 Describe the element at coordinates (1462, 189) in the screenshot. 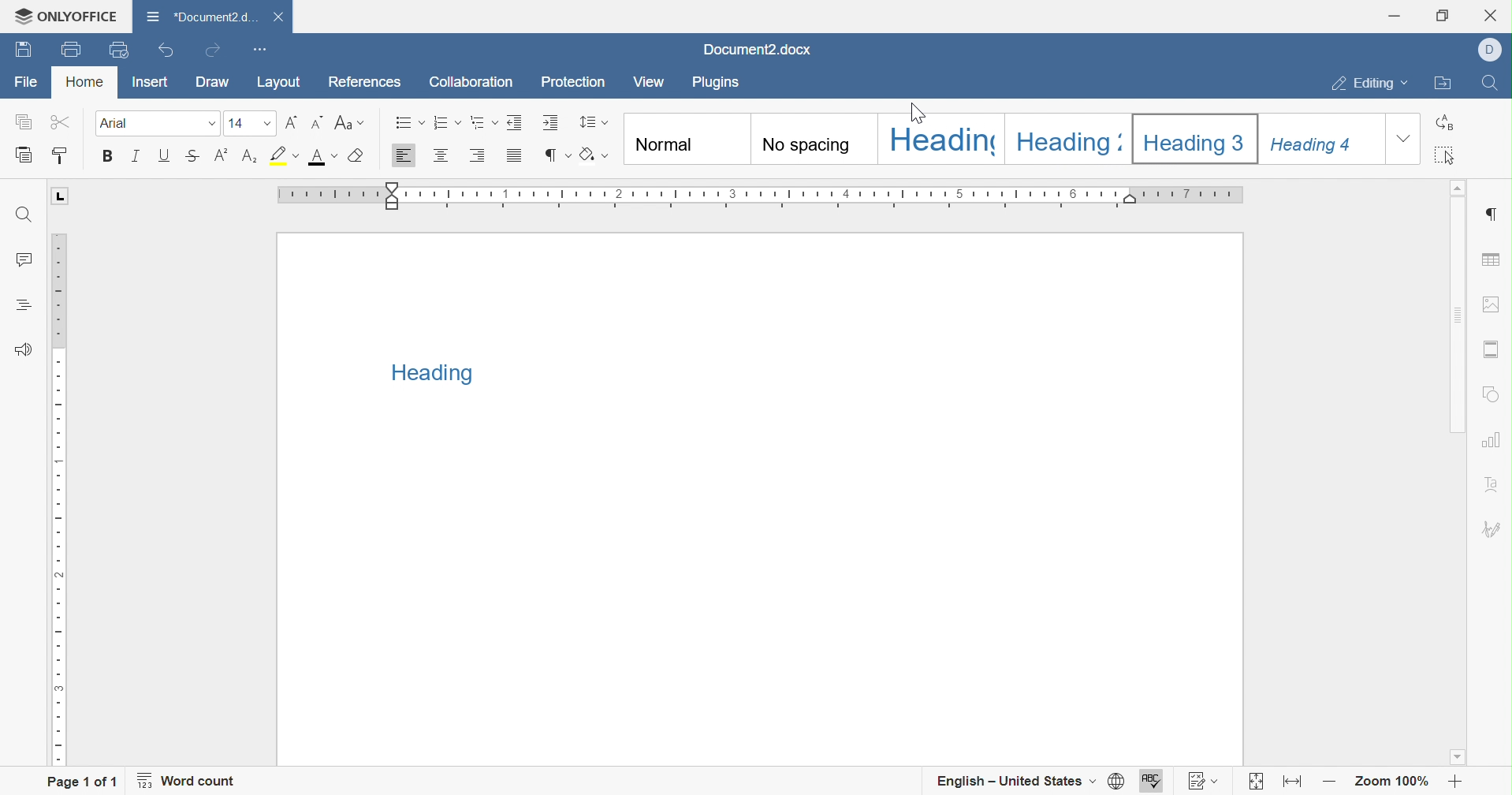

I see `Scroll Up` at that location.